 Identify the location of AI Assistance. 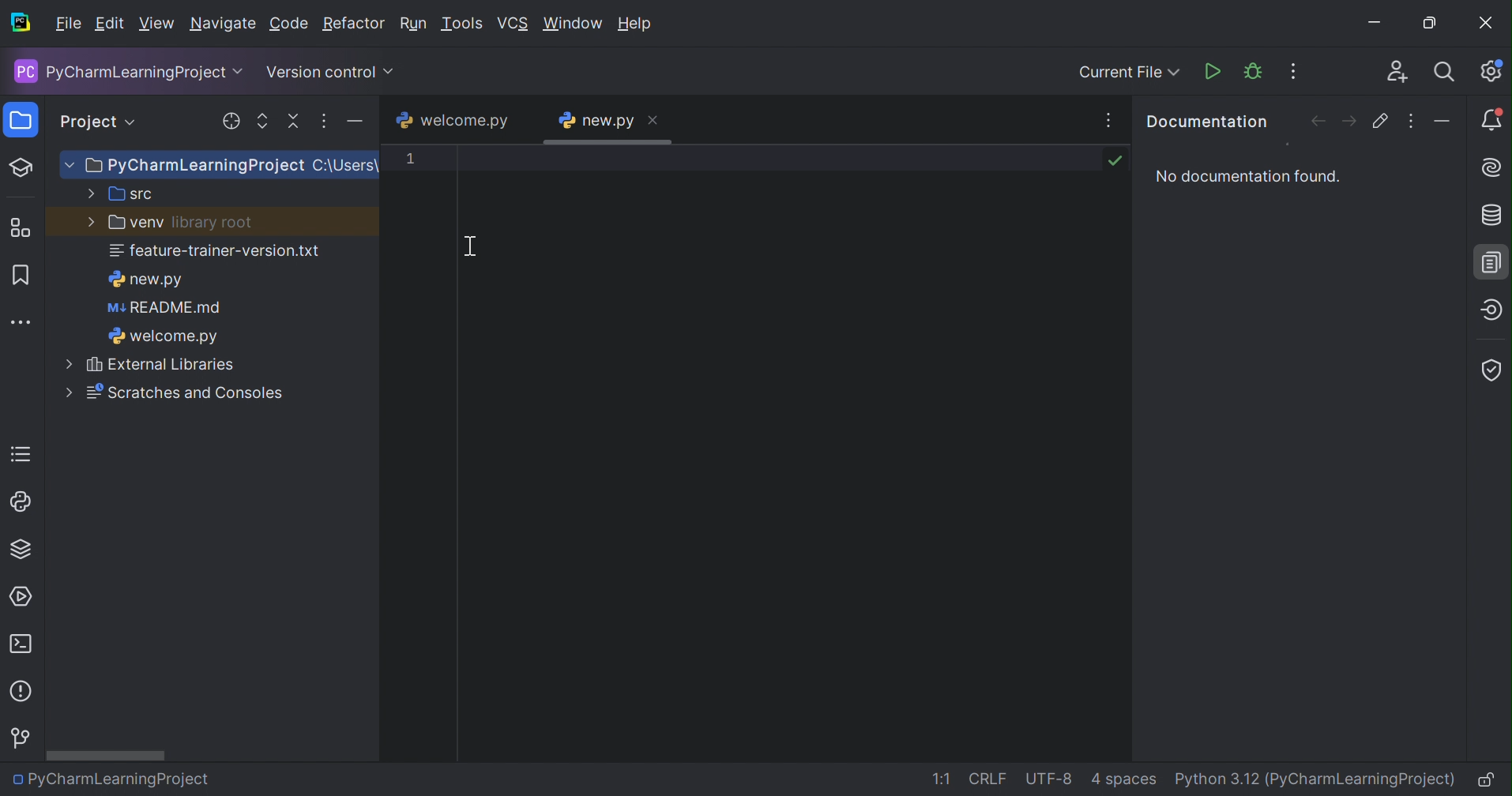
(1494, 168).